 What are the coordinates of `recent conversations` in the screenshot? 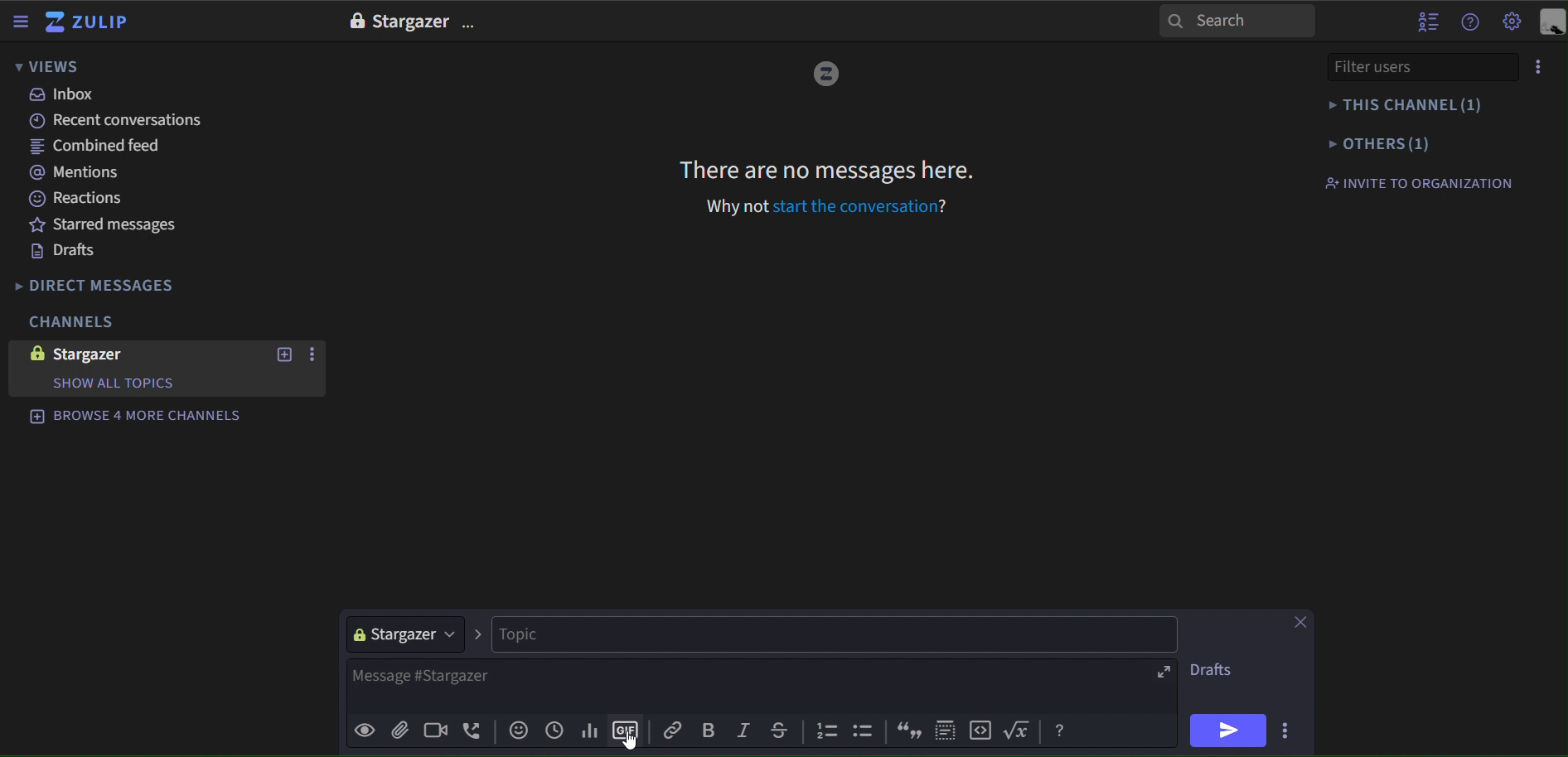 It's located at (123, 121).